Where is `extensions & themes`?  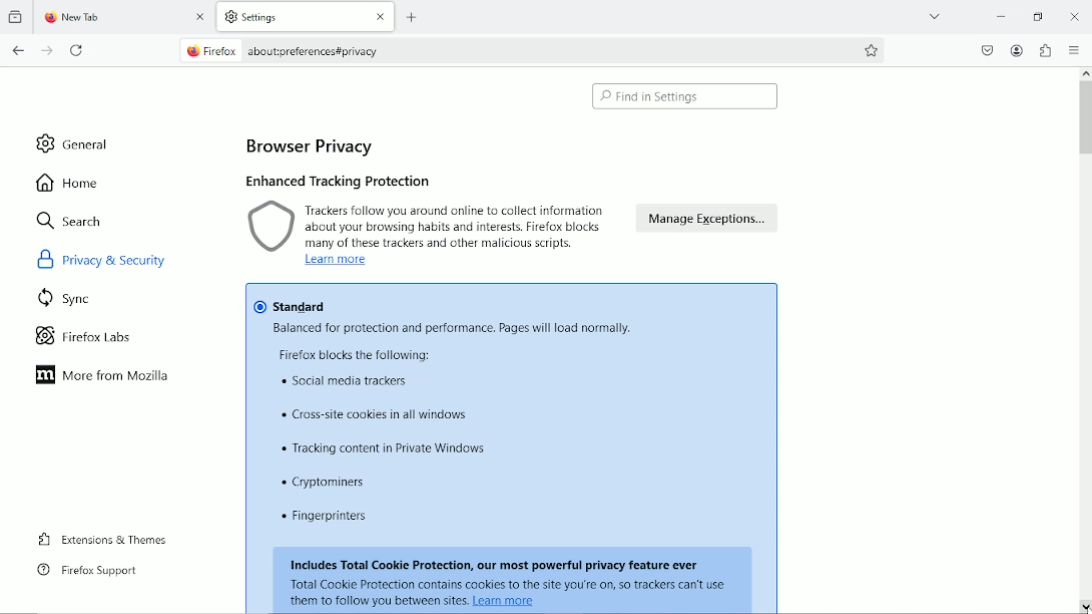
extensions & themes is located at coordinates (100, 538).